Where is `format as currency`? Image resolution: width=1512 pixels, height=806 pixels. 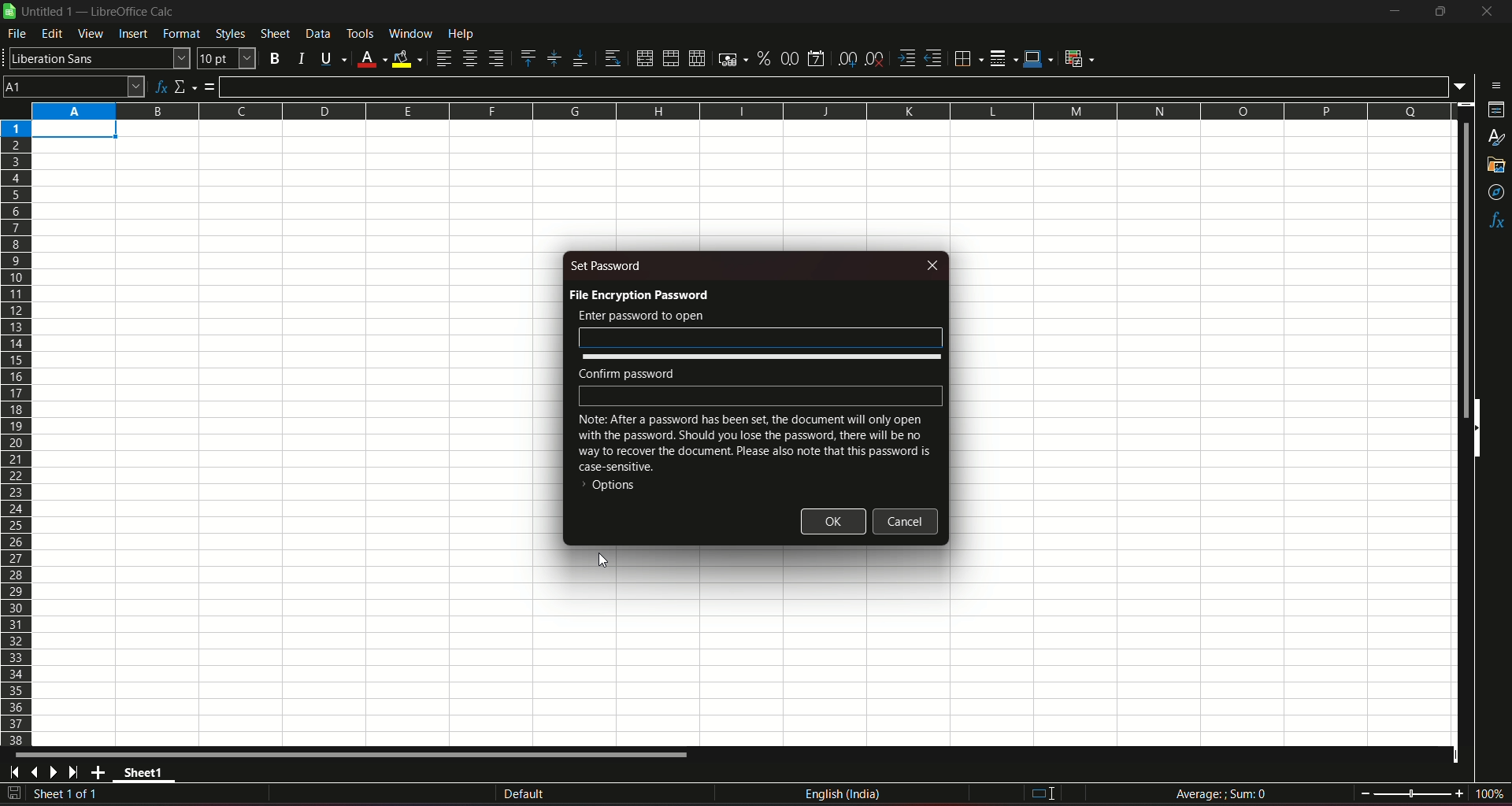 format as currency is located at coordinates (729, 59).